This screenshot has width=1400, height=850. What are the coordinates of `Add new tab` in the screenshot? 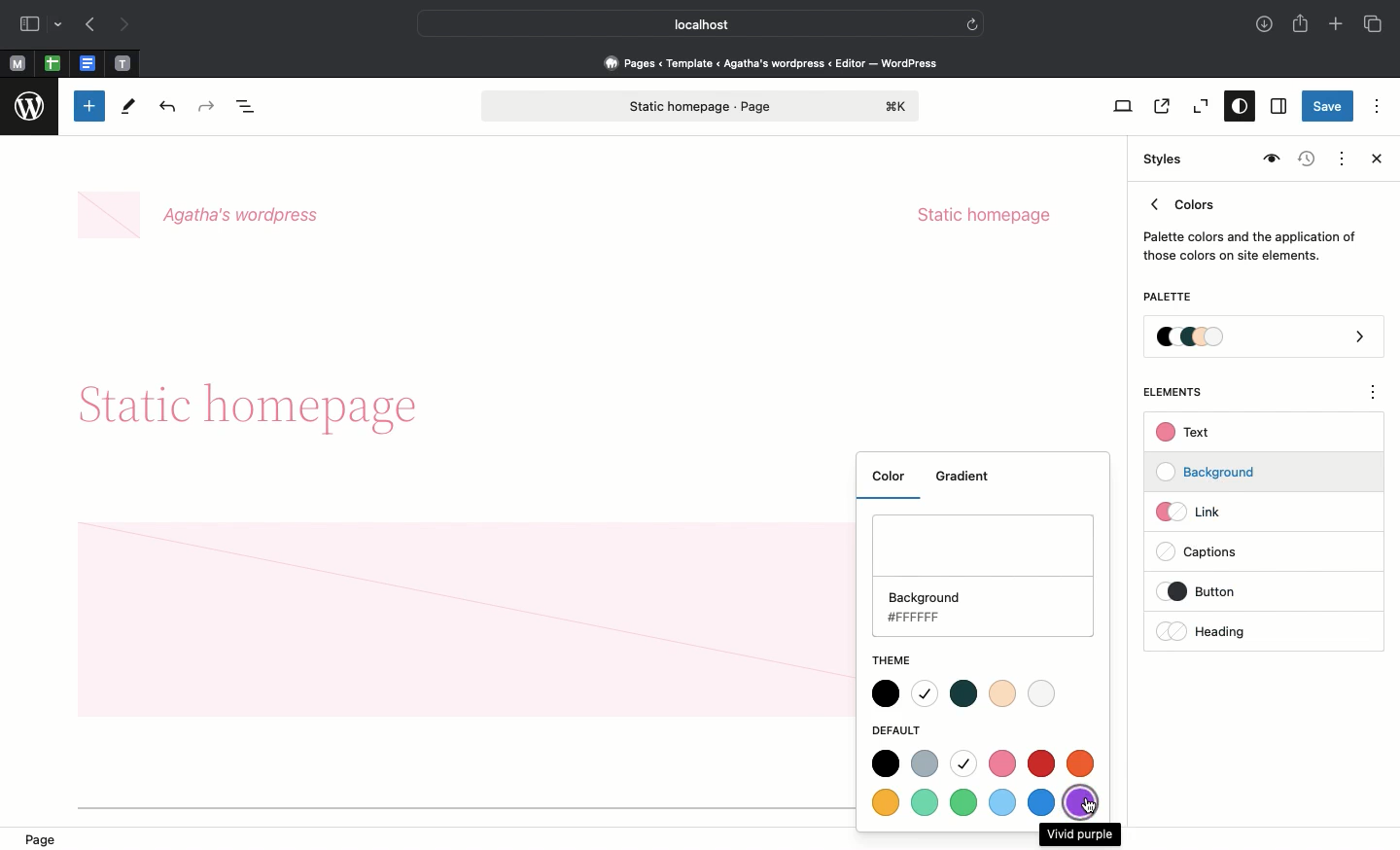 It's located at (1338, 26).